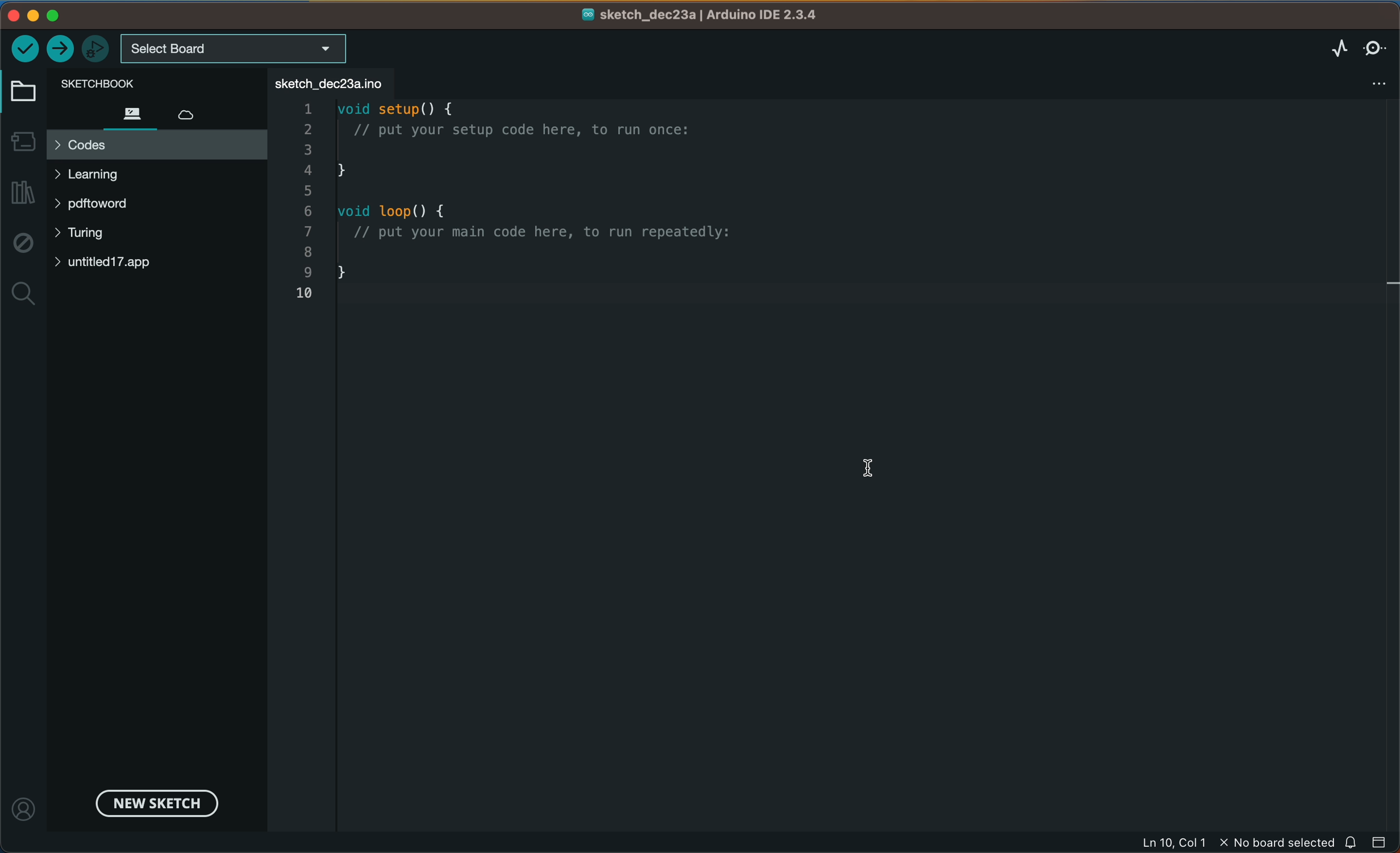  What do you see at coordinates (94, 49) in the screenshot?
I see `debugger` at bounding box center [94, 49].